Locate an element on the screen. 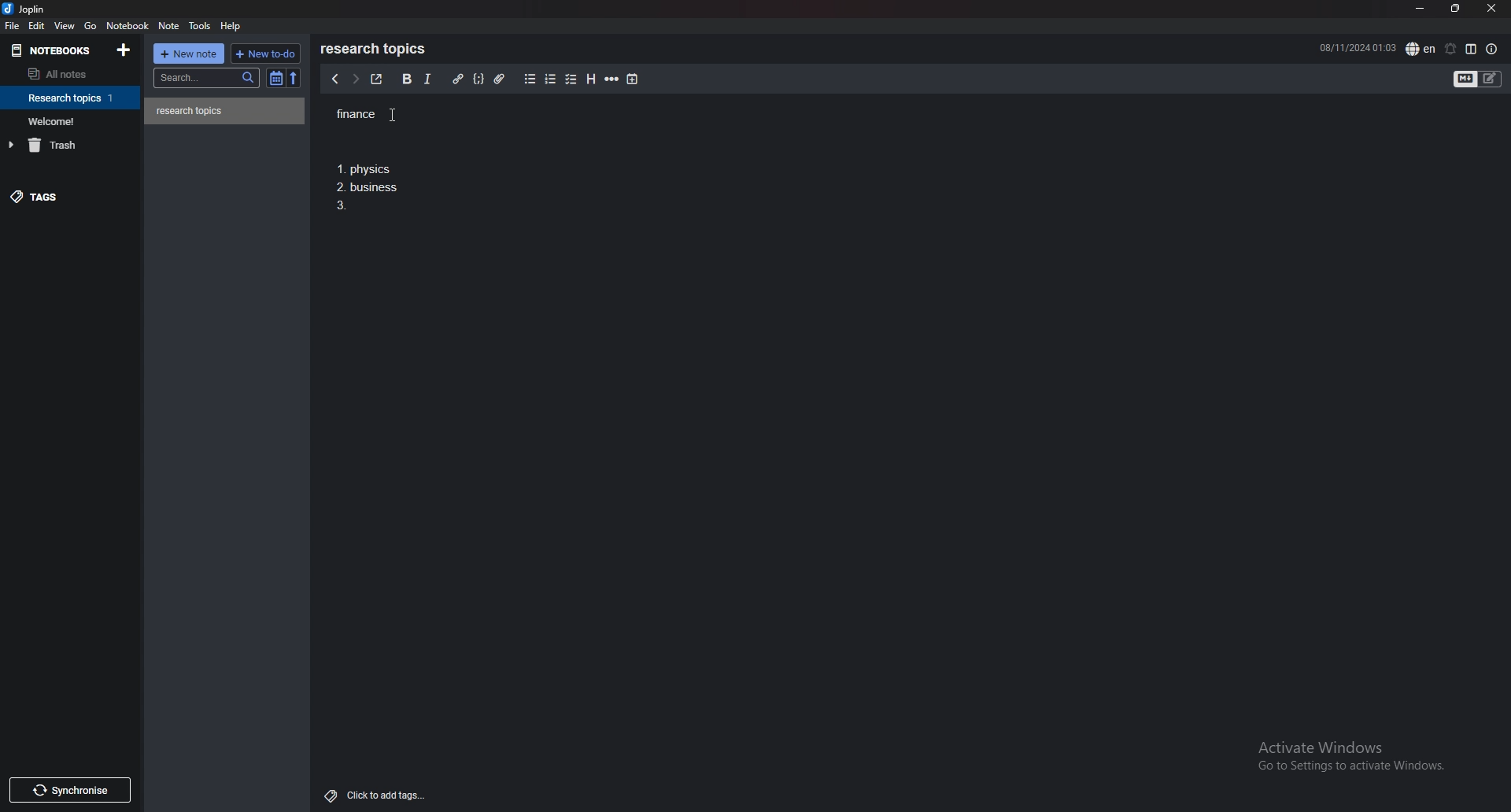 The height and width of the screenshot is (812, 1511). add time is located at coordinates (633, 79).